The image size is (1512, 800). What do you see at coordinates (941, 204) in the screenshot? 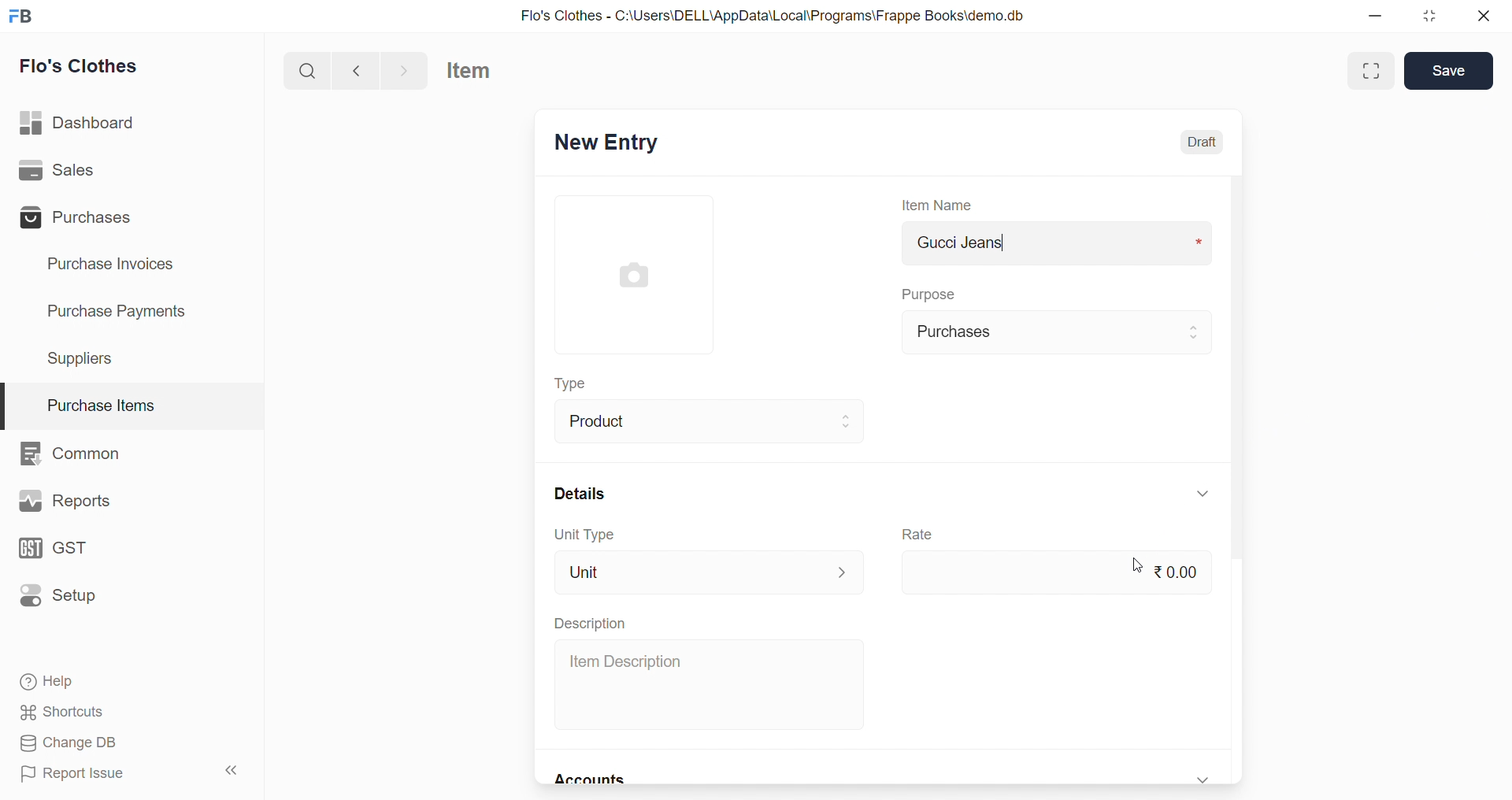
I see `Item Name` at bounding box center [941, 204].